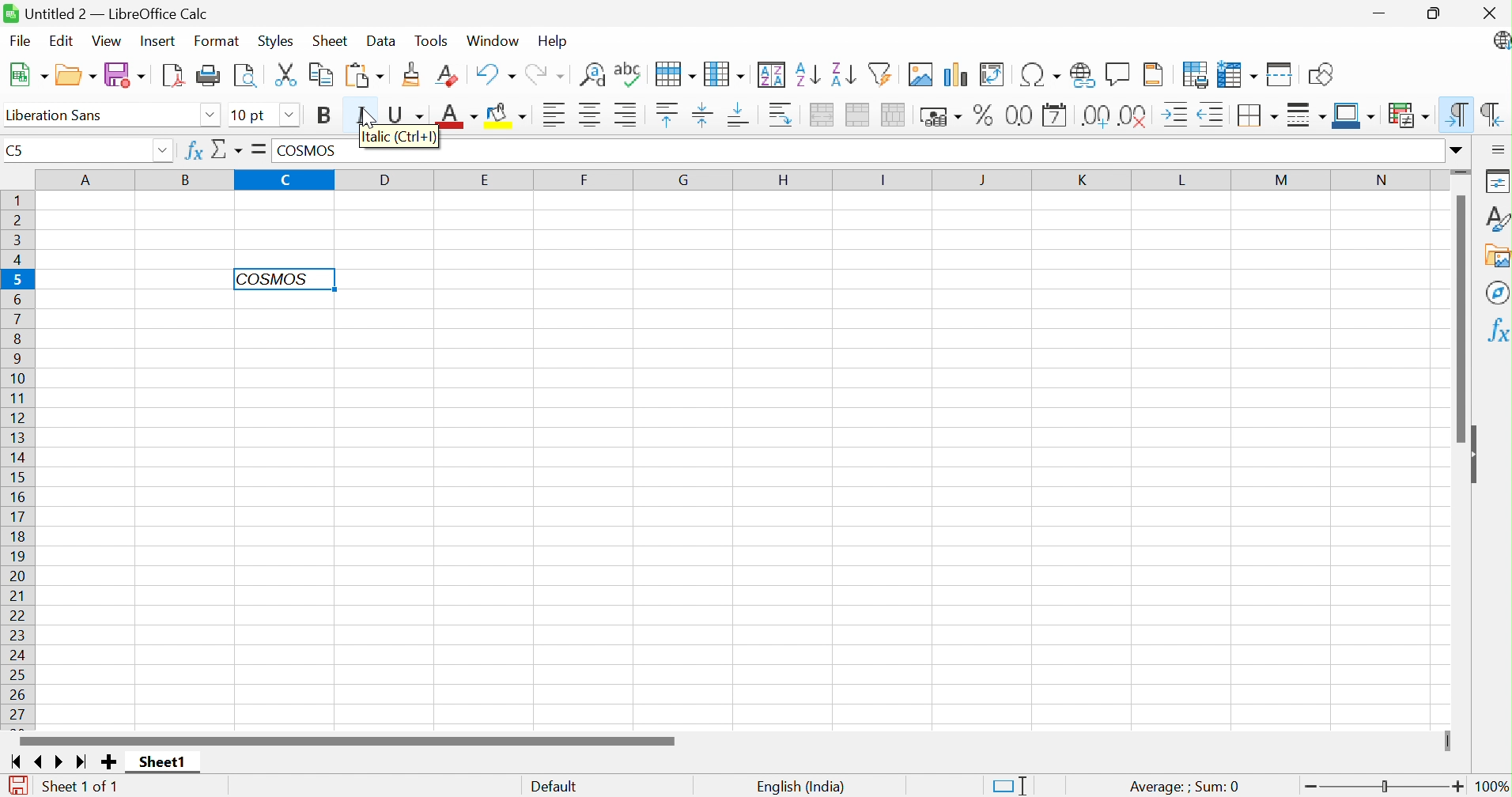  What do you see at coordinates (244, 78) in the screenshot?
I see `Toggle print as preview` at bounding box center [244, 78].